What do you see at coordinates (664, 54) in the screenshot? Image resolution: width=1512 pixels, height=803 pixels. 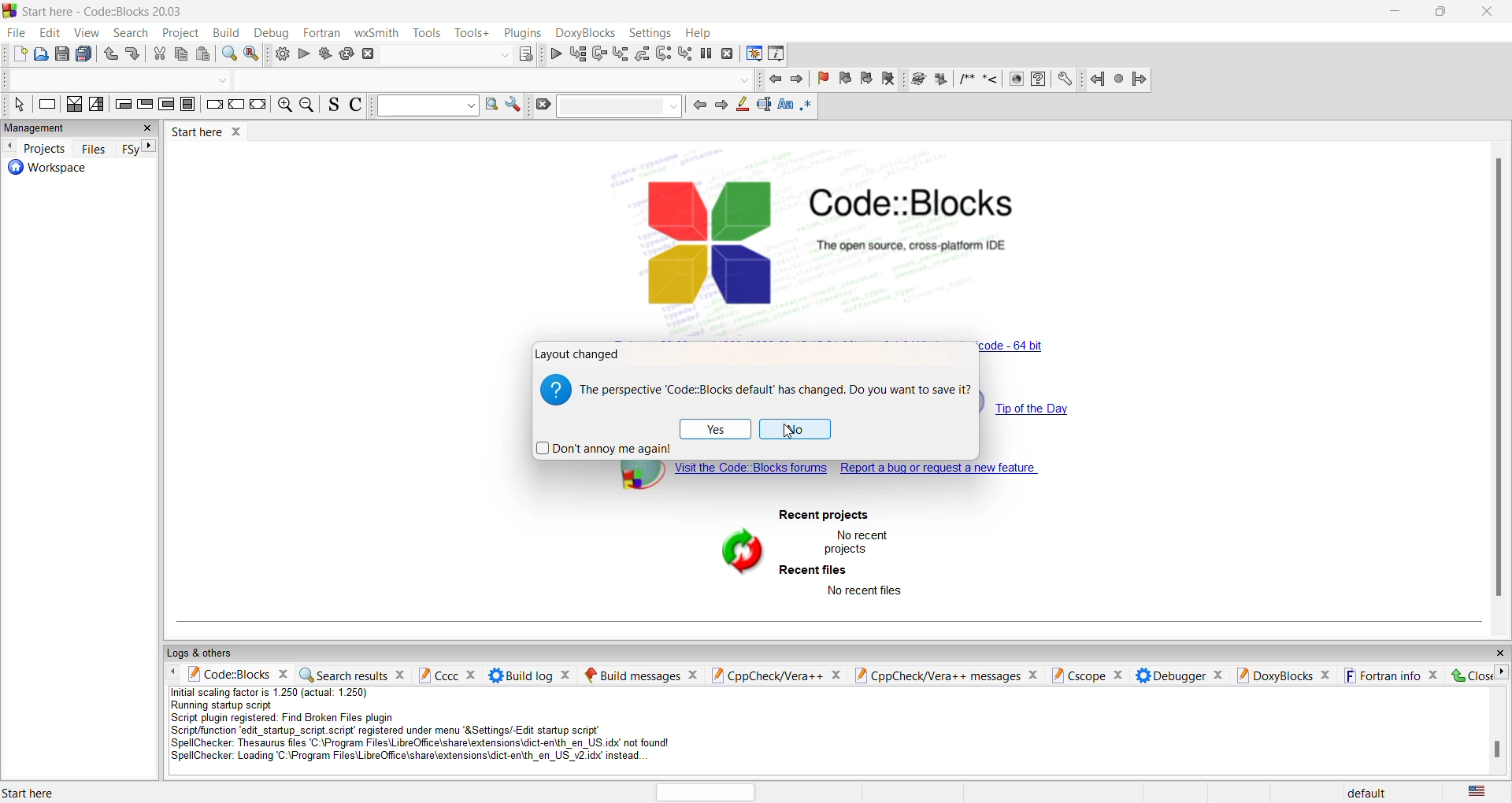 I see `next instruction` at bounding box center [664, 54].